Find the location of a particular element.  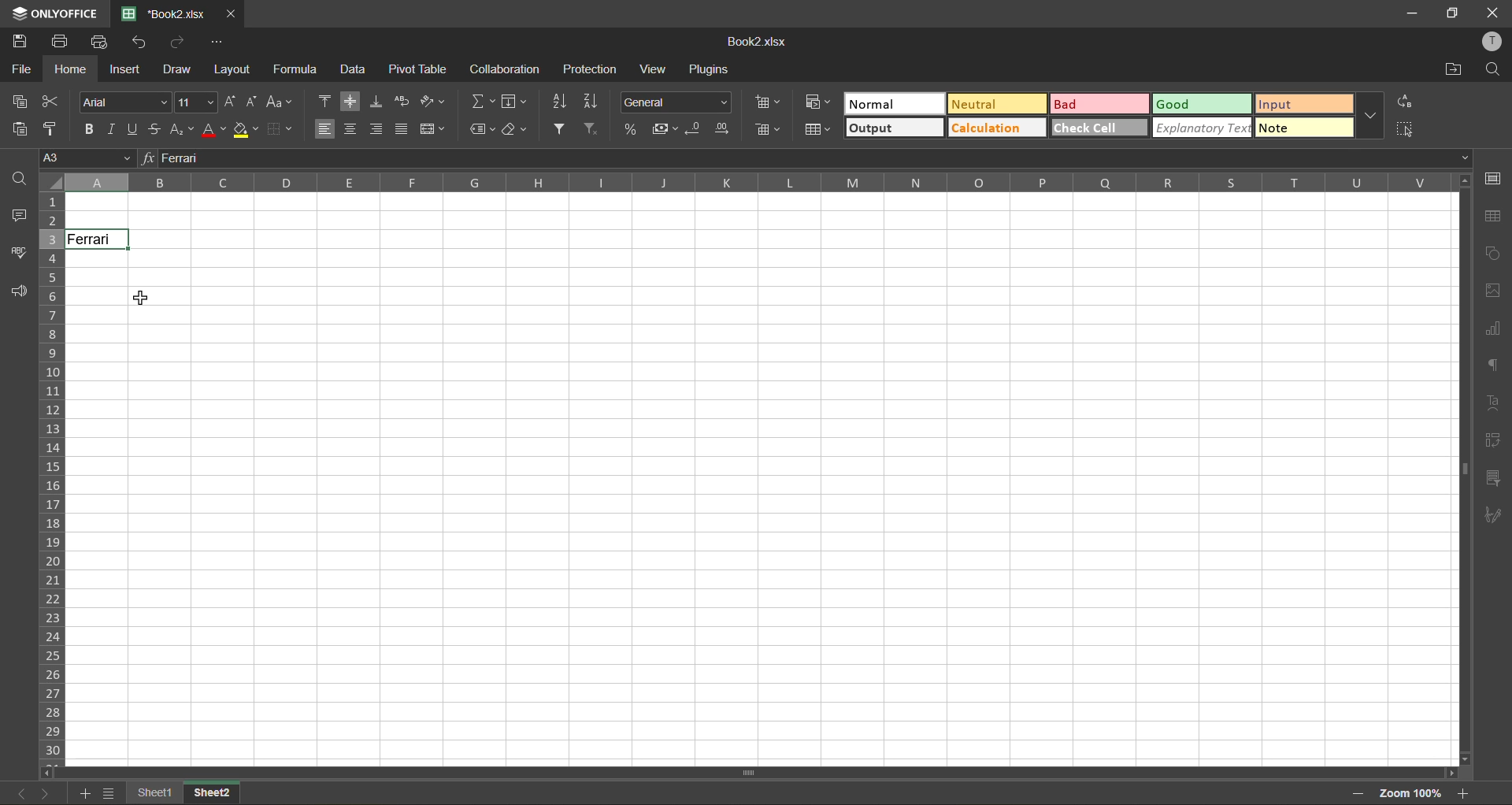

protection is located at coordinates (588, 69).